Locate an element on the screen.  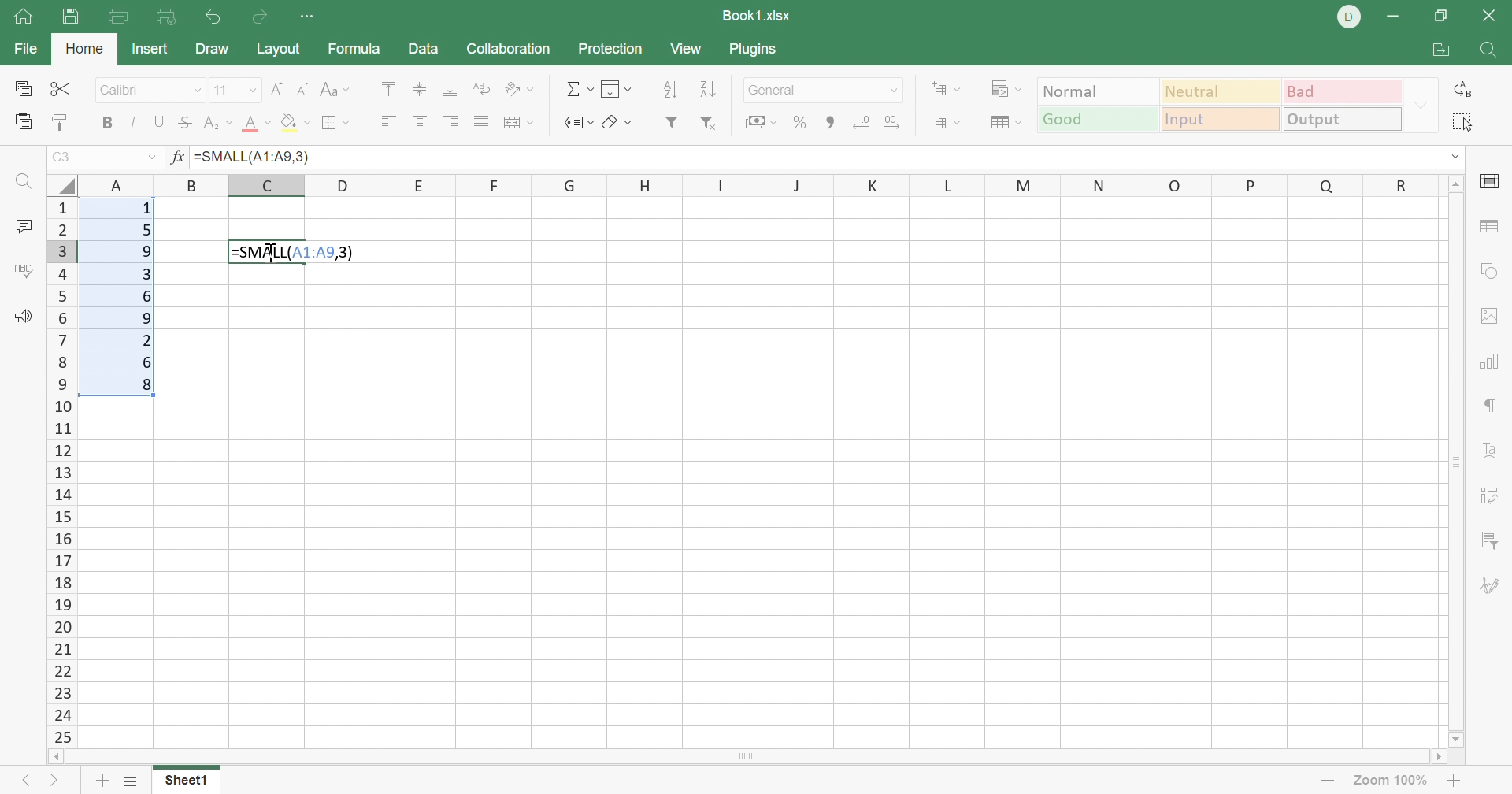
Cursor is located at coordinates (272, 254).